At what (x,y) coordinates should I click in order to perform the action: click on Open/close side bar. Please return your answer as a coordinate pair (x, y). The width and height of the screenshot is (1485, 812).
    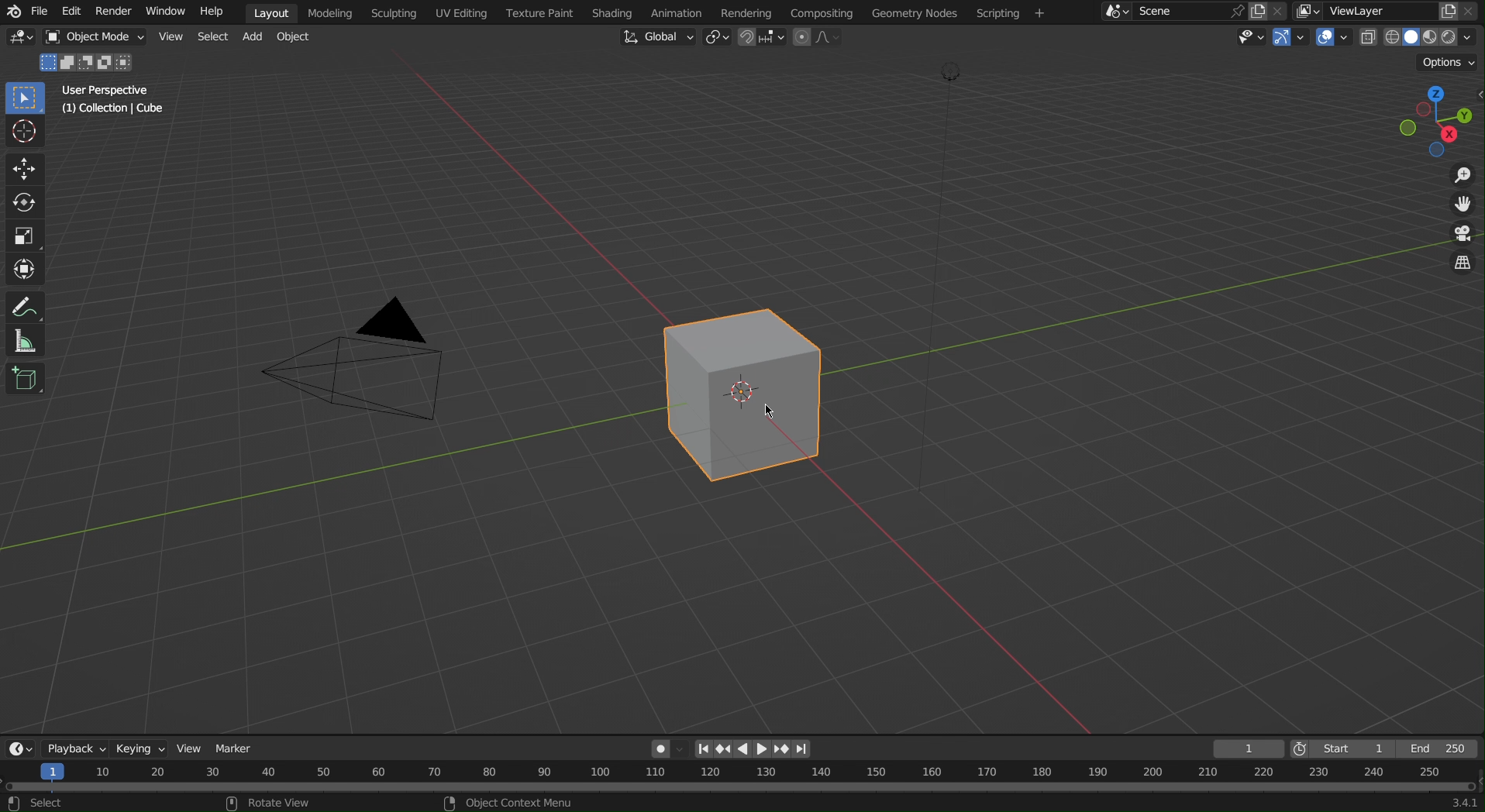
    Looking at the image, I should click on (1476, 108).